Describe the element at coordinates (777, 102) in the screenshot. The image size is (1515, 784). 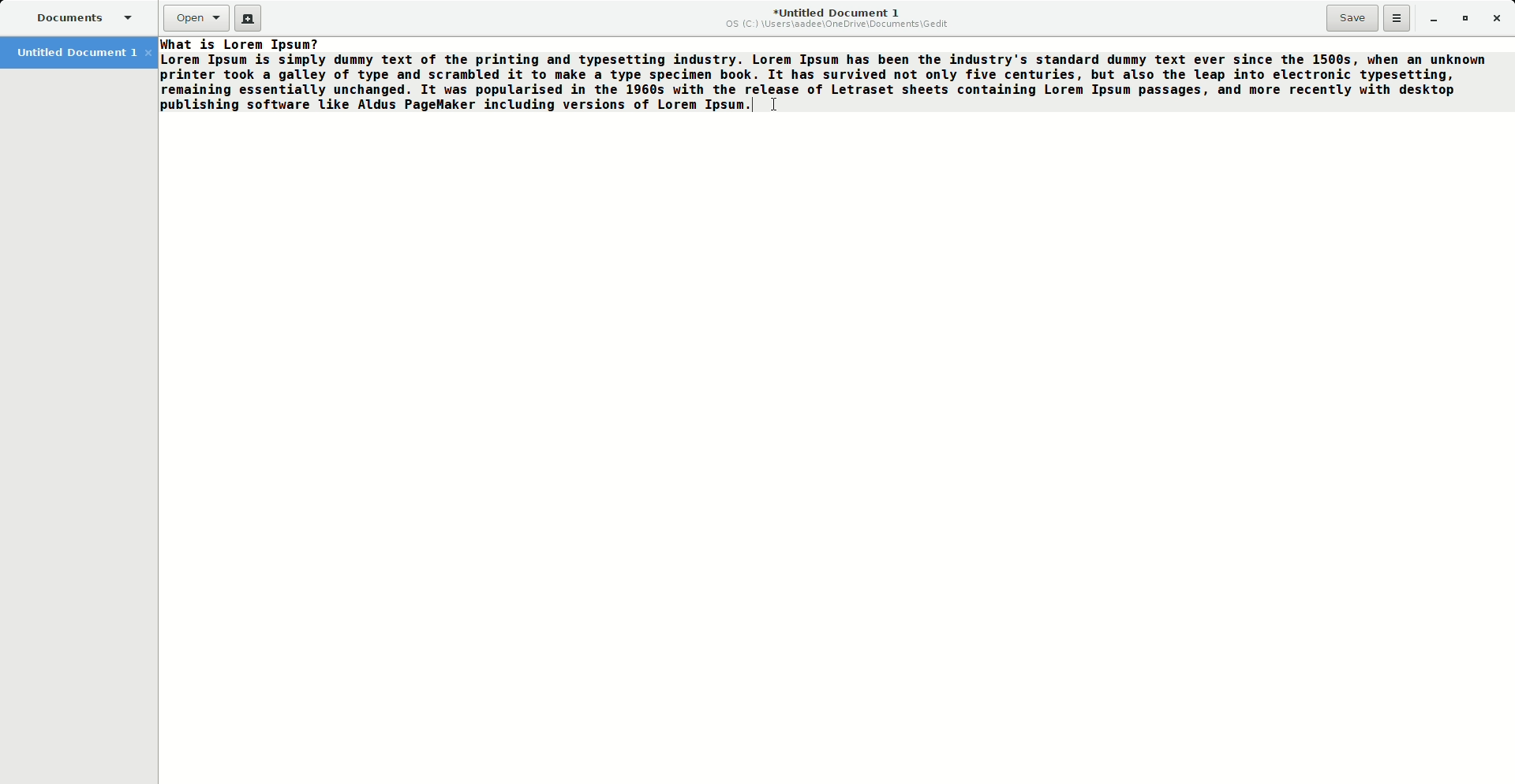
I see `Cursor` at that location.